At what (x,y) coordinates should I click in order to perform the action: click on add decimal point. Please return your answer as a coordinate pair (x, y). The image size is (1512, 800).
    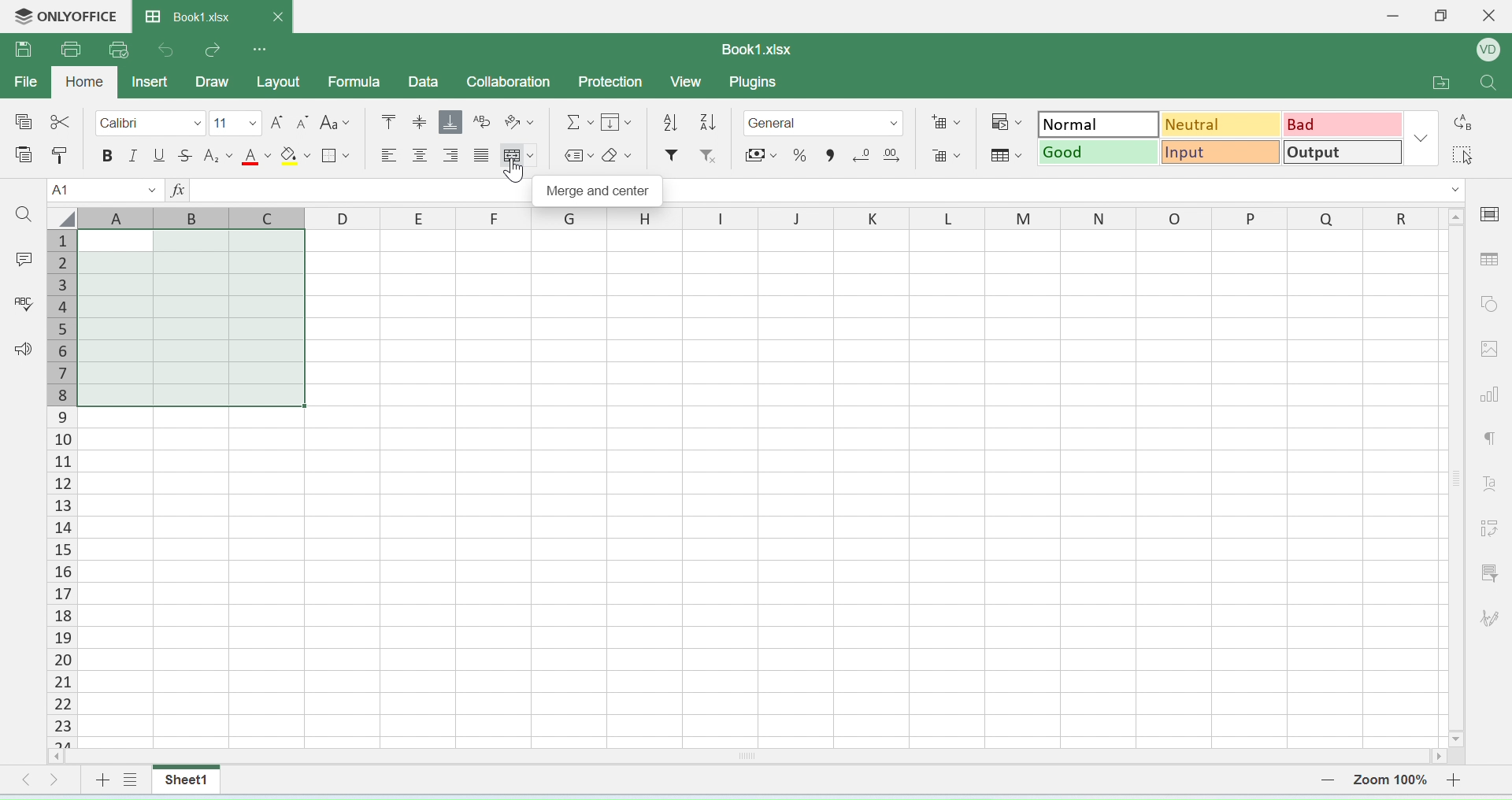
    Looking at the image, I should click on (889, 154).